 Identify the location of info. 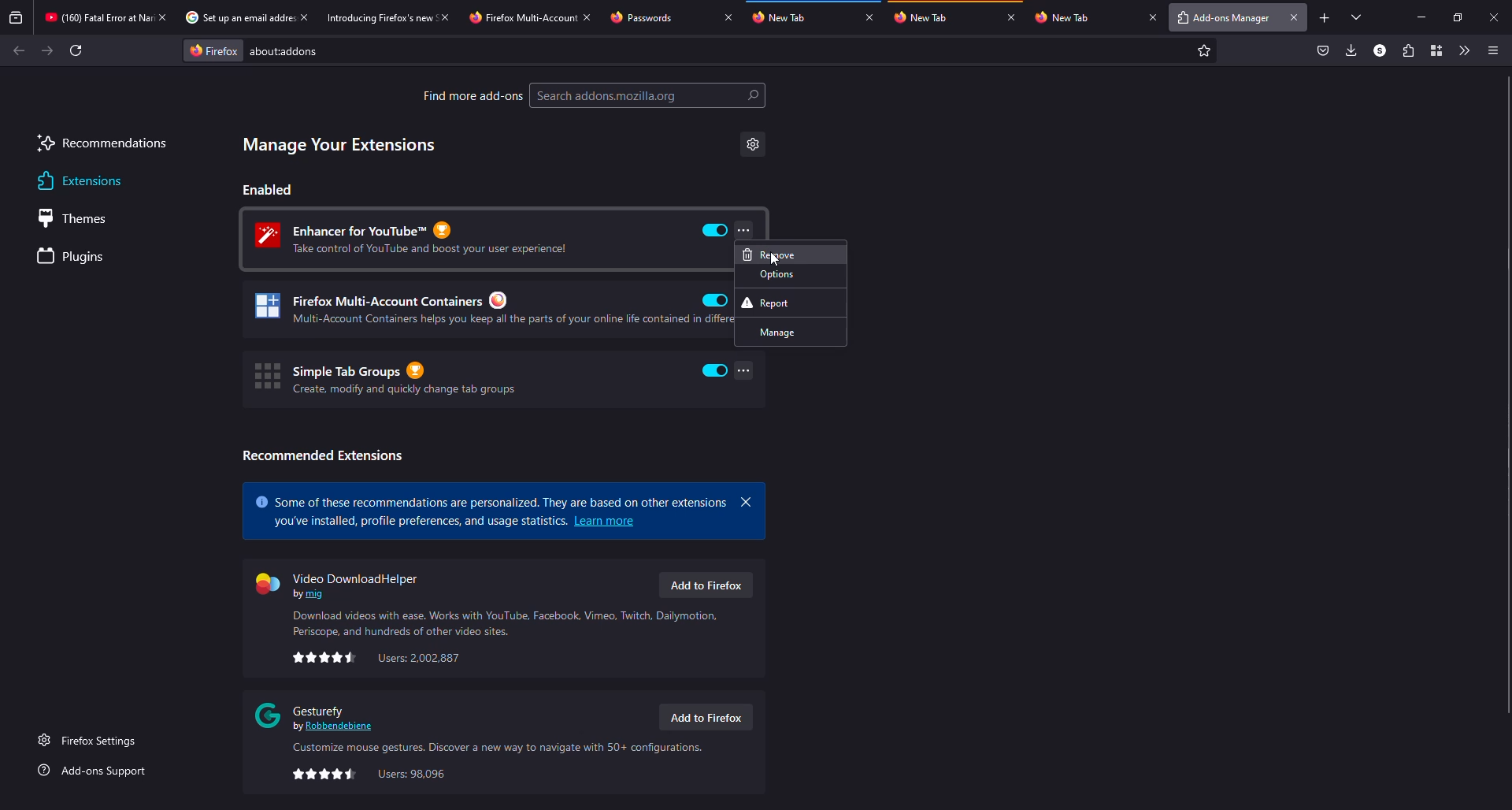
(495, 749).